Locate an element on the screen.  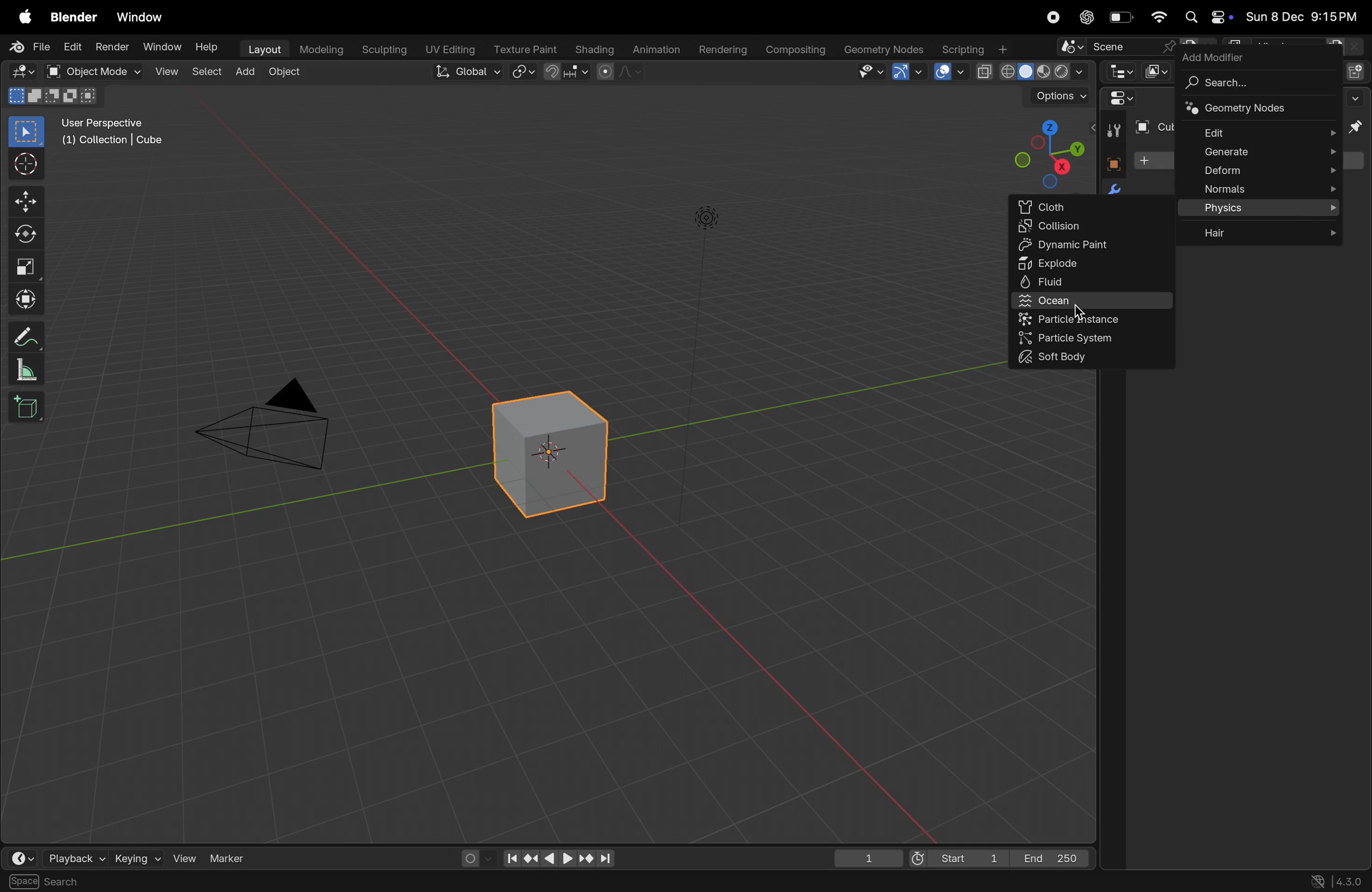
use collection cube is located at coordinates (111, 143).